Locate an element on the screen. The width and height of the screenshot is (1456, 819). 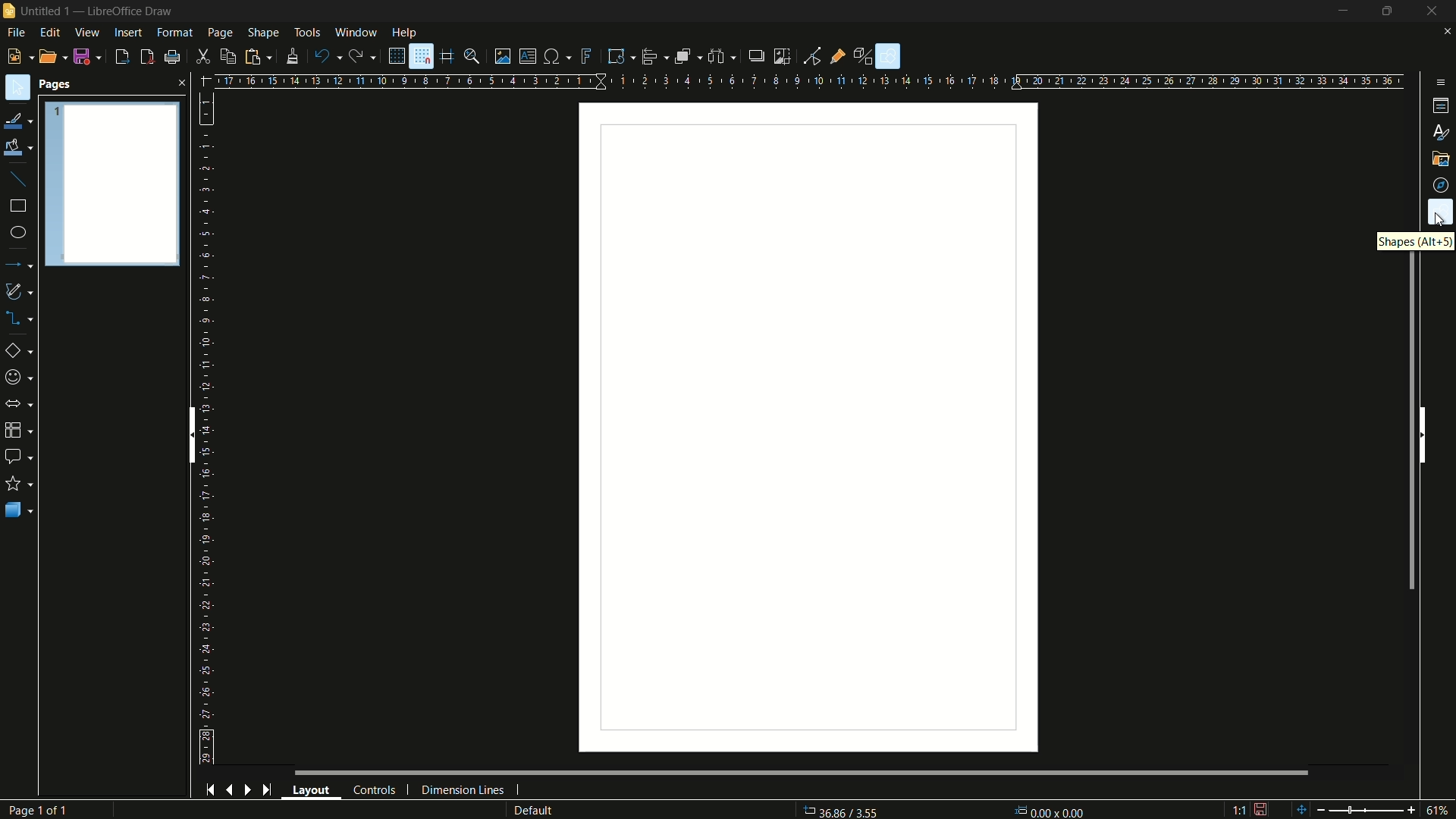
file menu is located at coordinates (14, 33).